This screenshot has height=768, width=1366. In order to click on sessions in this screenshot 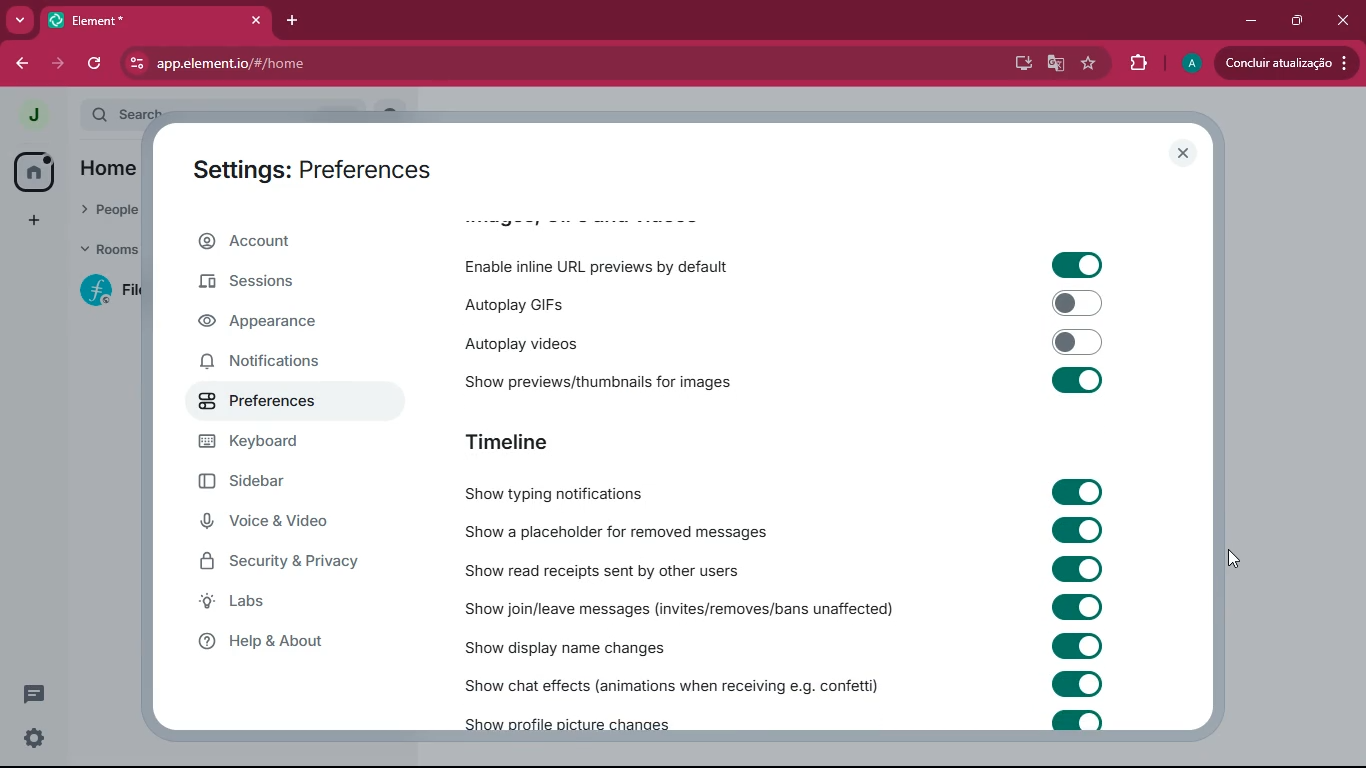, I will do `click(279, 283)`.